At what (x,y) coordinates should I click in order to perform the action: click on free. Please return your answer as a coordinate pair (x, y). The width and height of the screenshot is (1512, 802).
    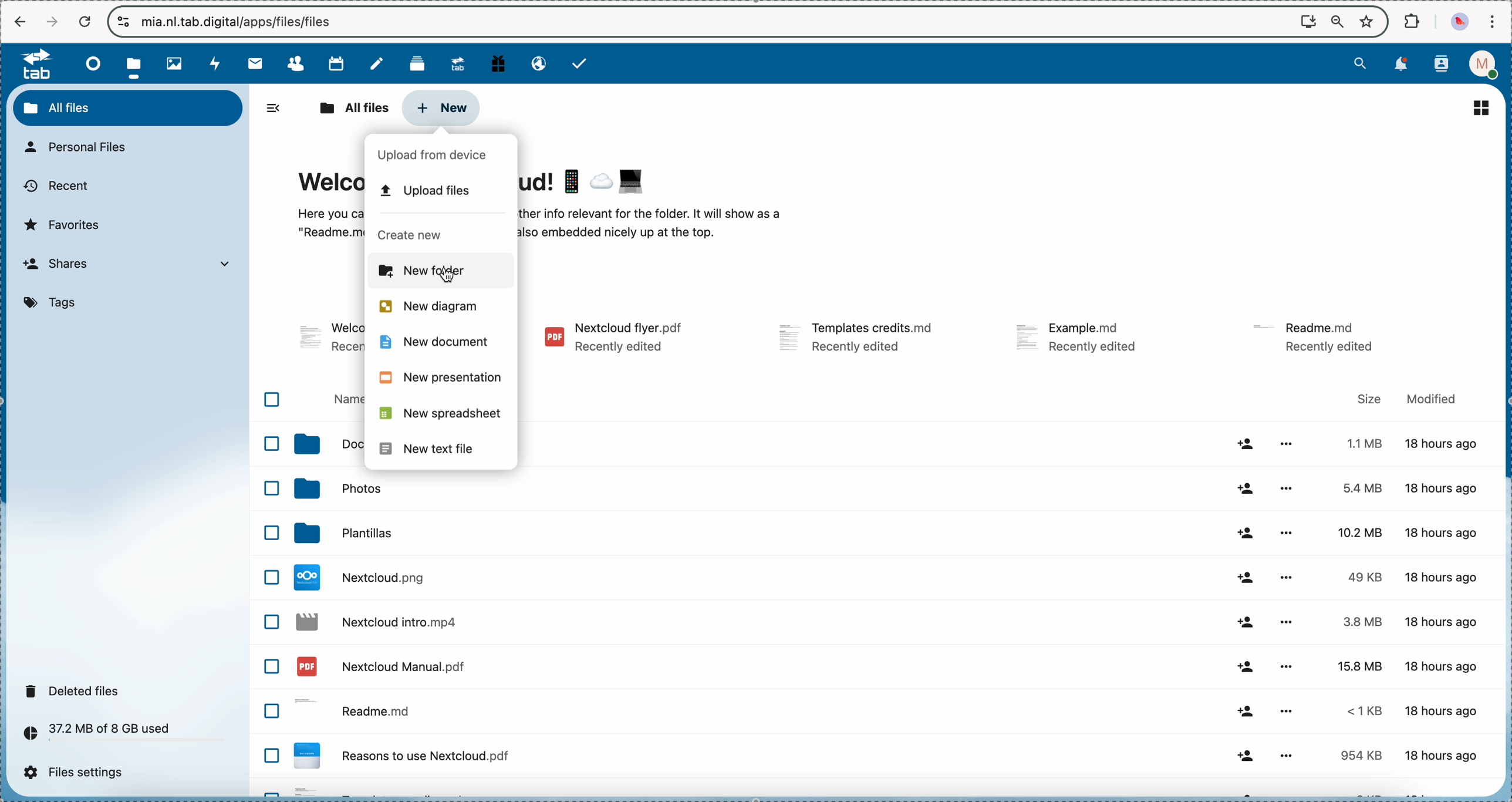
    Looking at the image, I should click on (498, 62).